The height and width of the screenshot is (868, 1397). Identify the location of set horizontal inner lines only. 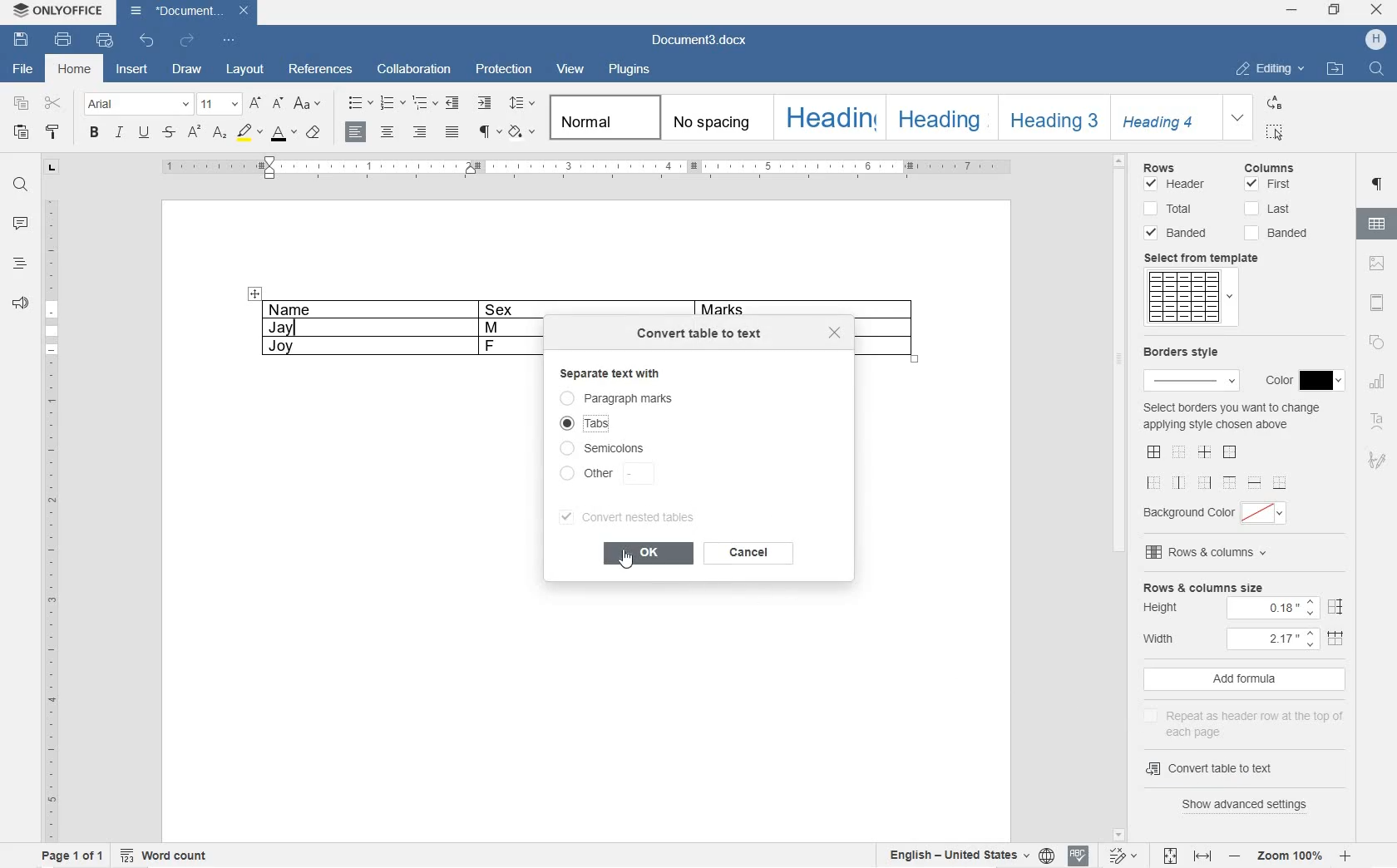
(1254, 481).